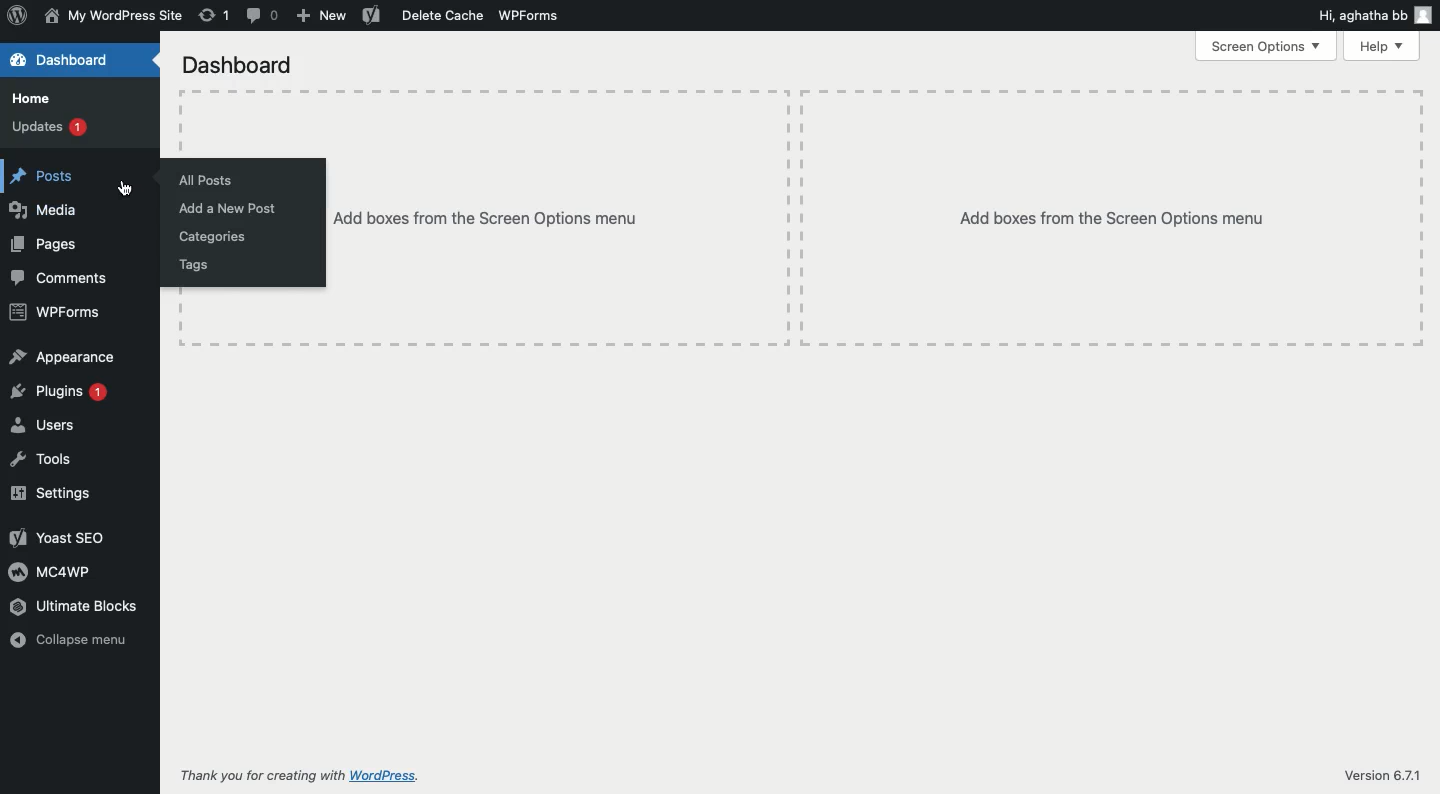 The image size is (1440, 794). Describe the element at coordinates (60, 460) in the screenshot. I see `Tools` at that location.